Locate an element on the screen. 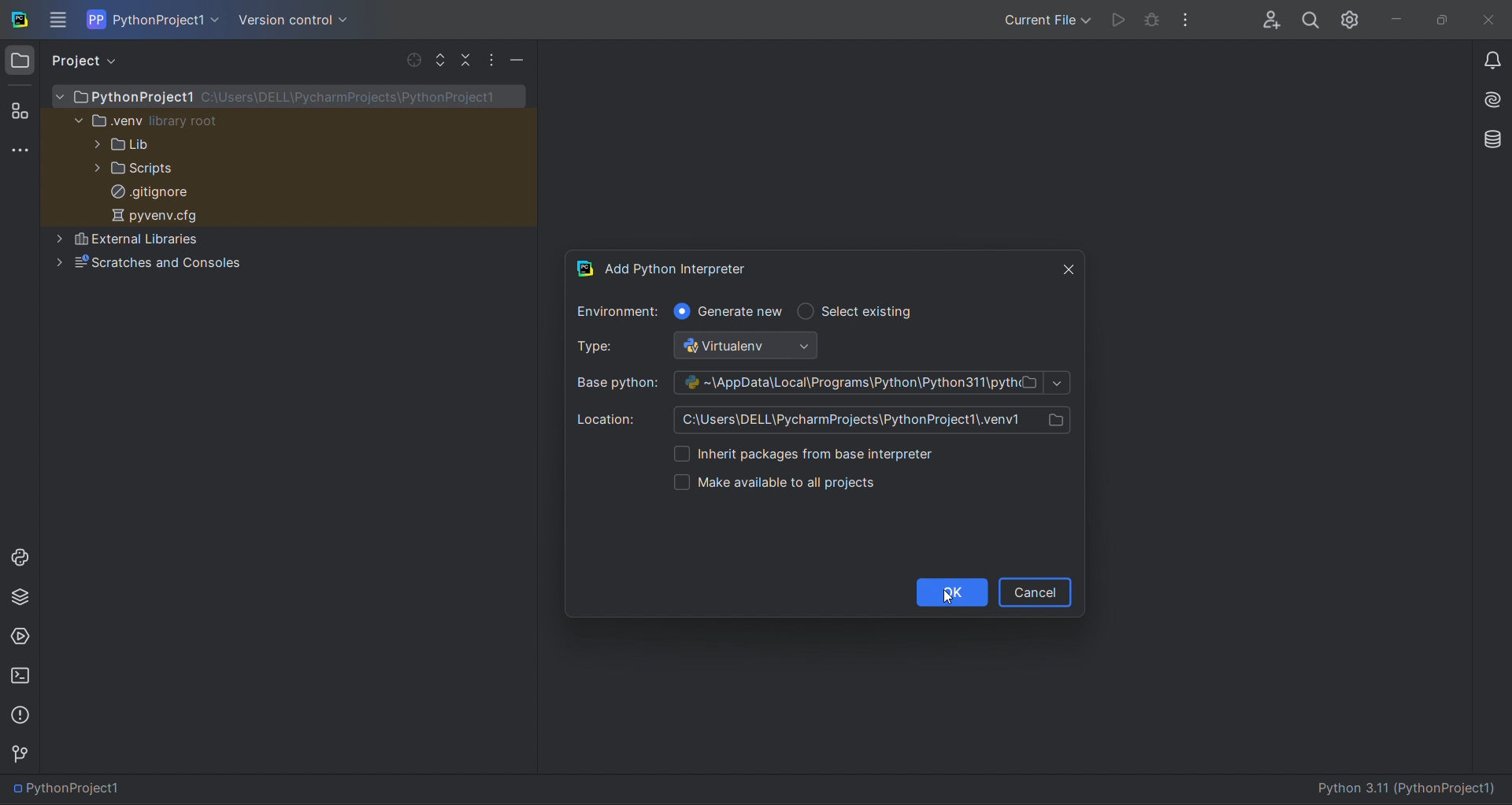 This screenshot has height=805, width=1512. cancel is located at coordinates (1036, 592).